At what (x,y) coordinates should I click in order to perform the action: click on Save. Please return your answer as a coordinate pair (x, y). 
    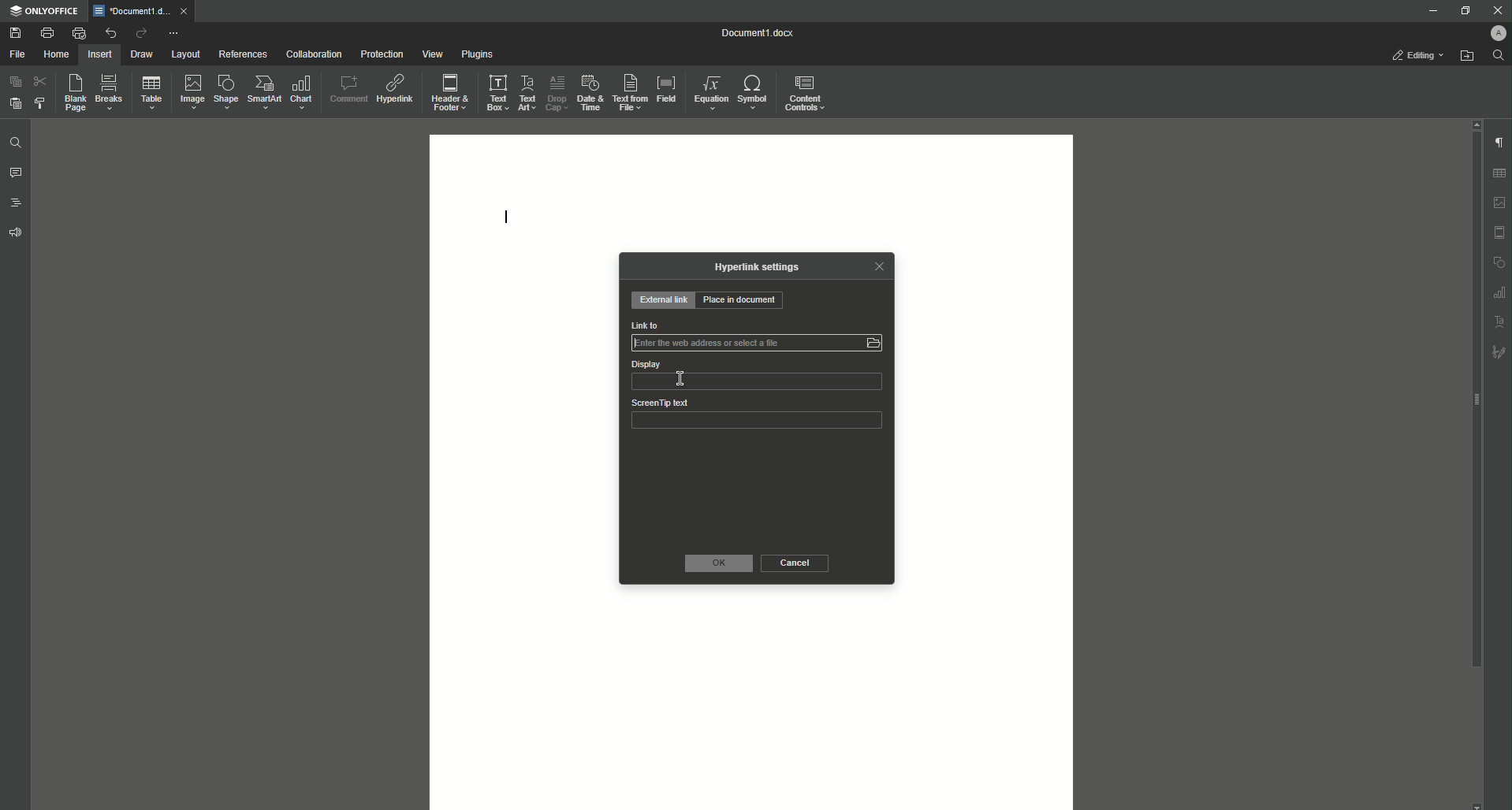
    Looking at the image, I should click on (14, 32).